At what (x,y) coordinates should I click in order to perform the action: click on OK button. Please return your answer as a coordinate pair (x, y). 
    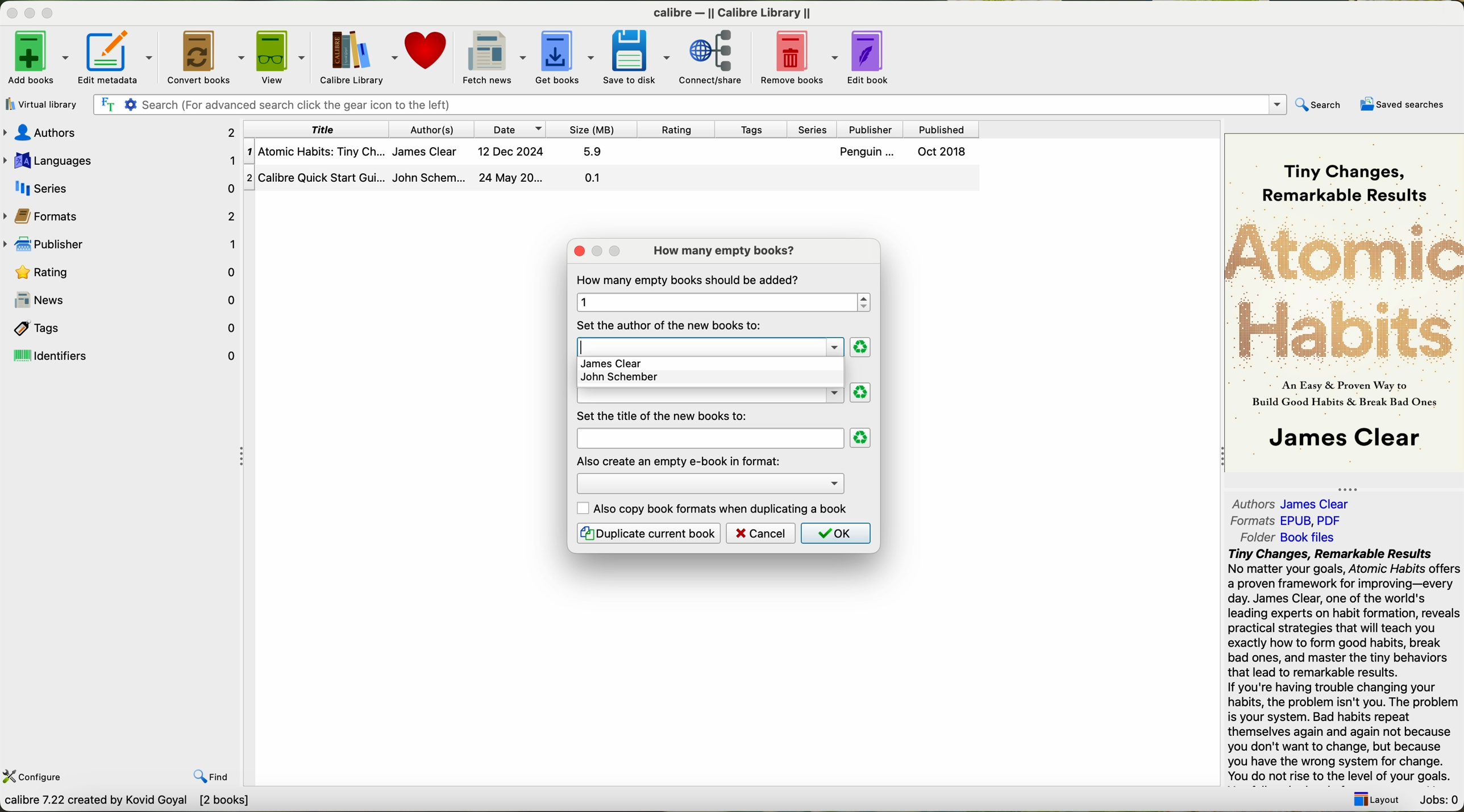
    Looking at the image, I should click on (834, 533).